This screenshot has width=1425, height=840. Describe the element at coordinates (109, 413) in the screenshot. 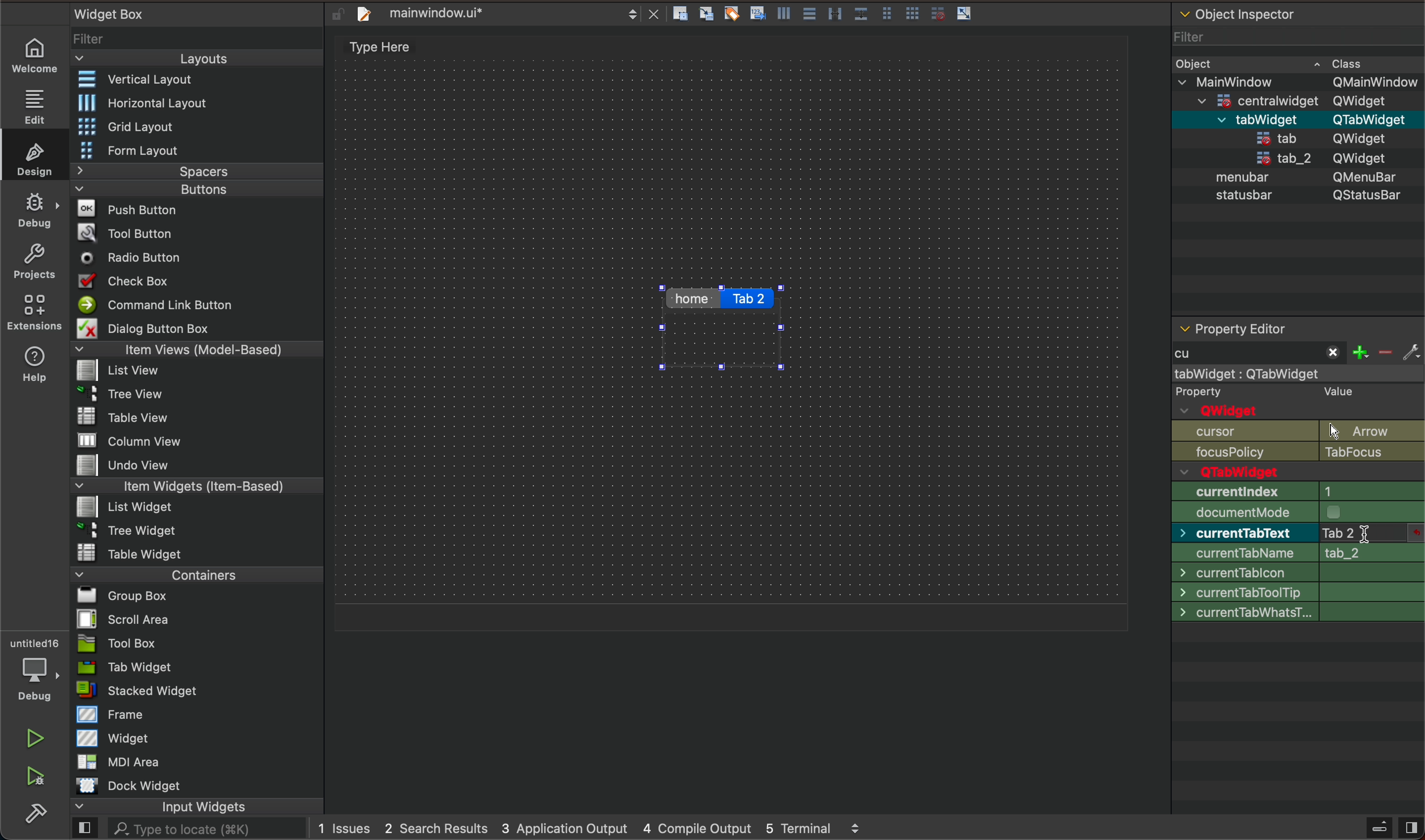

I see `Table View` at that location.